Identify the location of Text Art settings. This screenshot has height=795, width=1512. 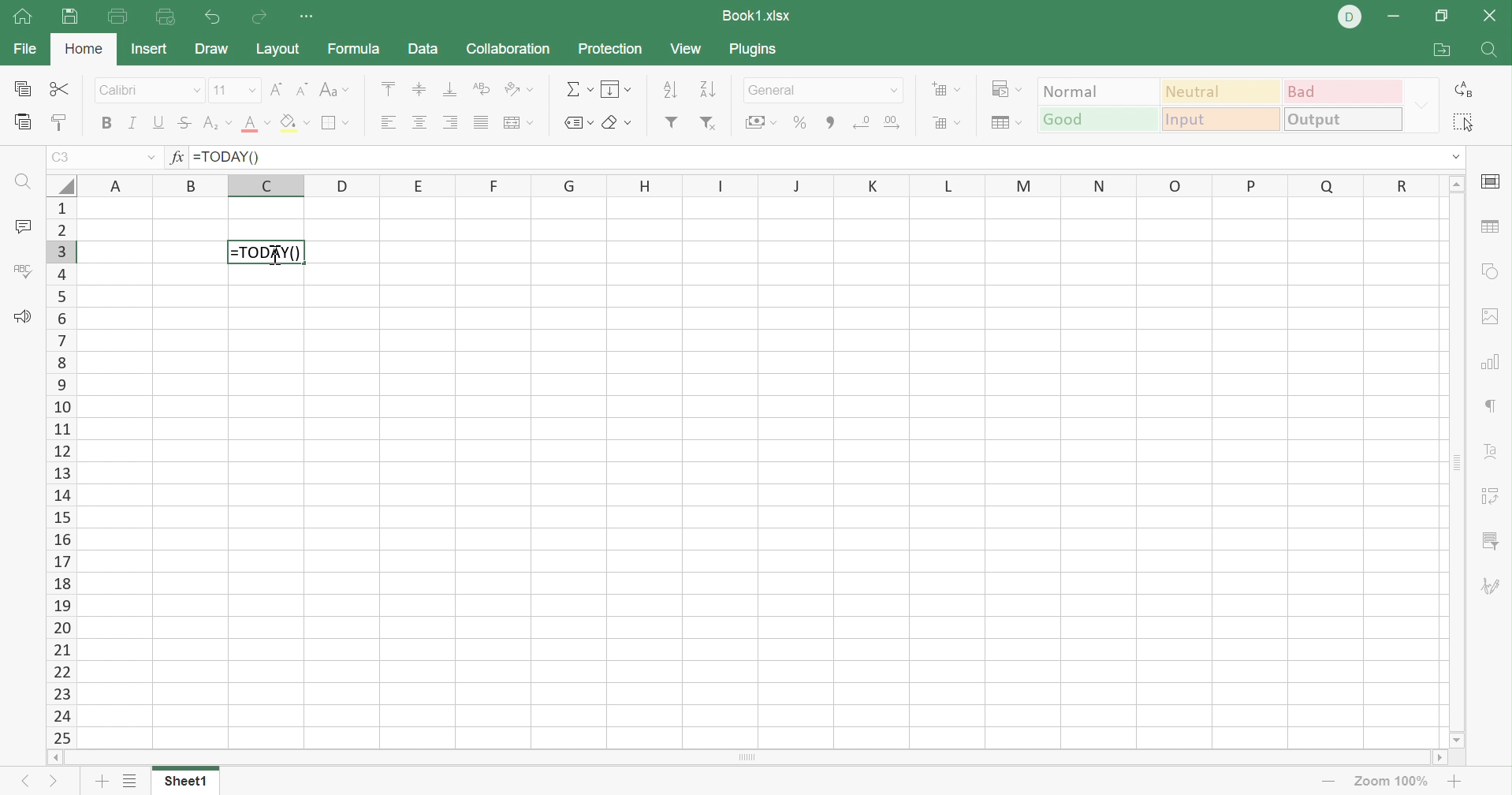
(1494, 453).